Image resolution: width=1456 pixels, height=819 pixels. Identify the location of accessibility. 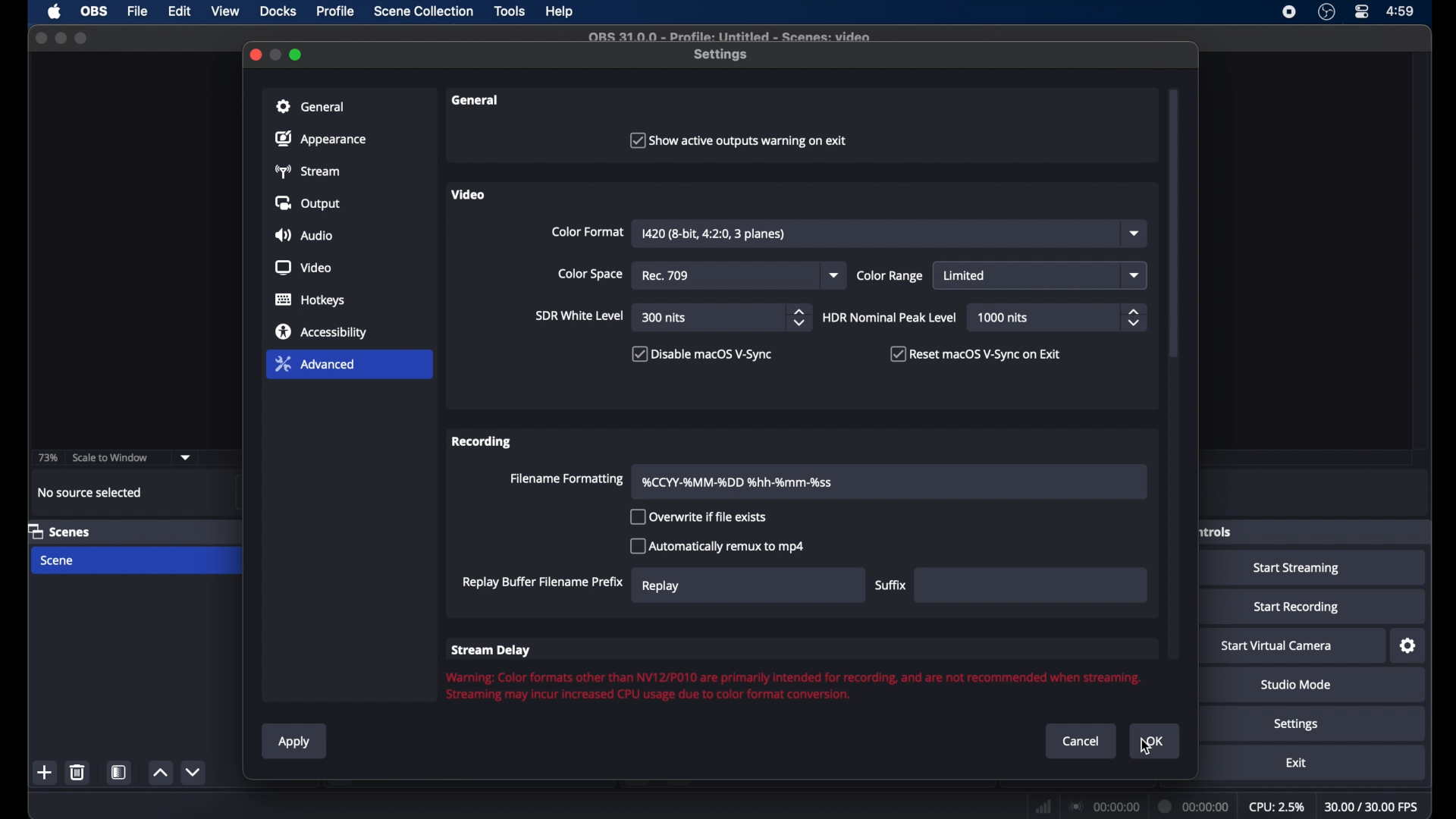
(322, 331).